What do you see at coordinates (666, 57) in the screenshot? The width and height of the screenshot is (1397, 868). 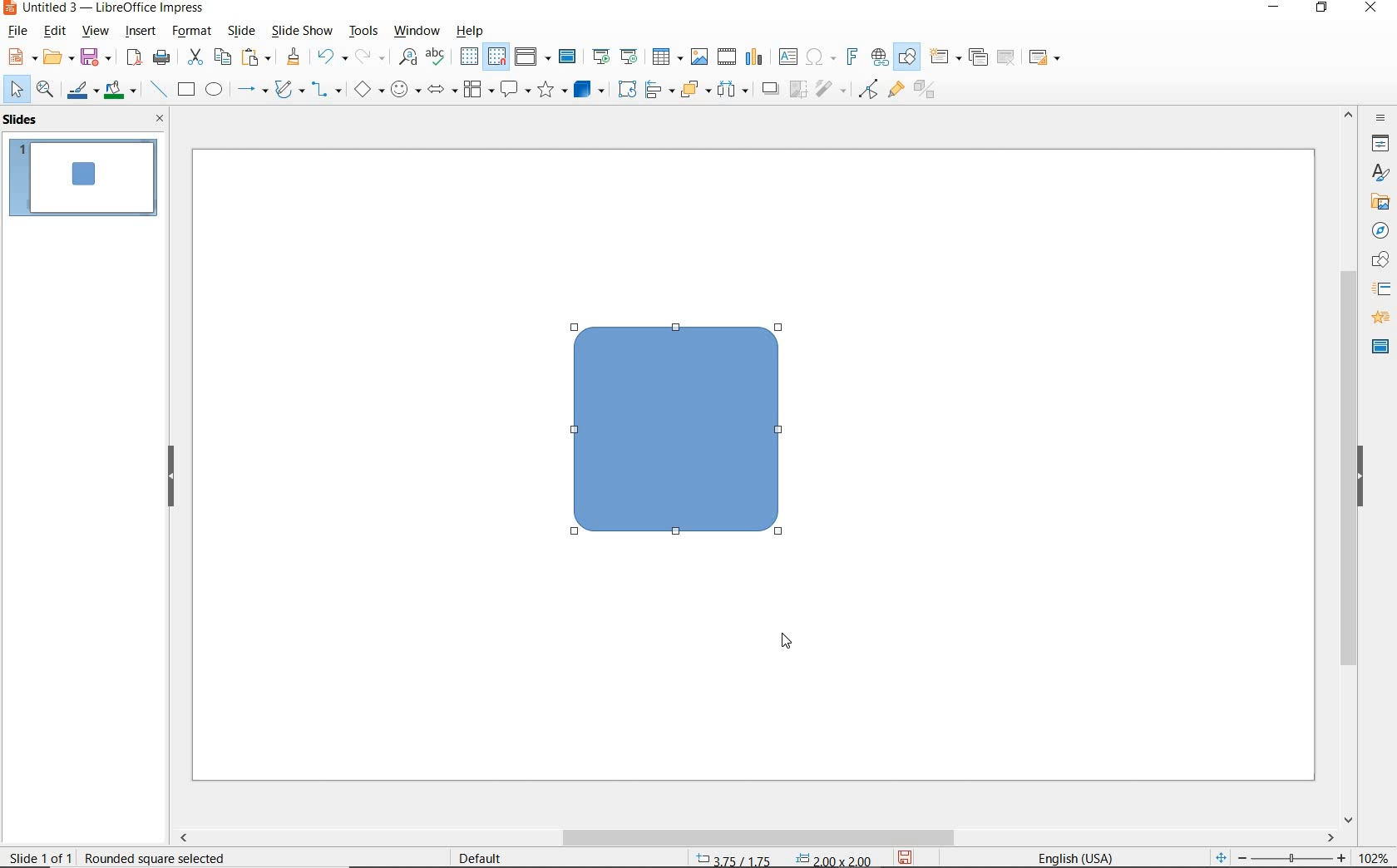 I see `table` at bounding box center [666, 57].